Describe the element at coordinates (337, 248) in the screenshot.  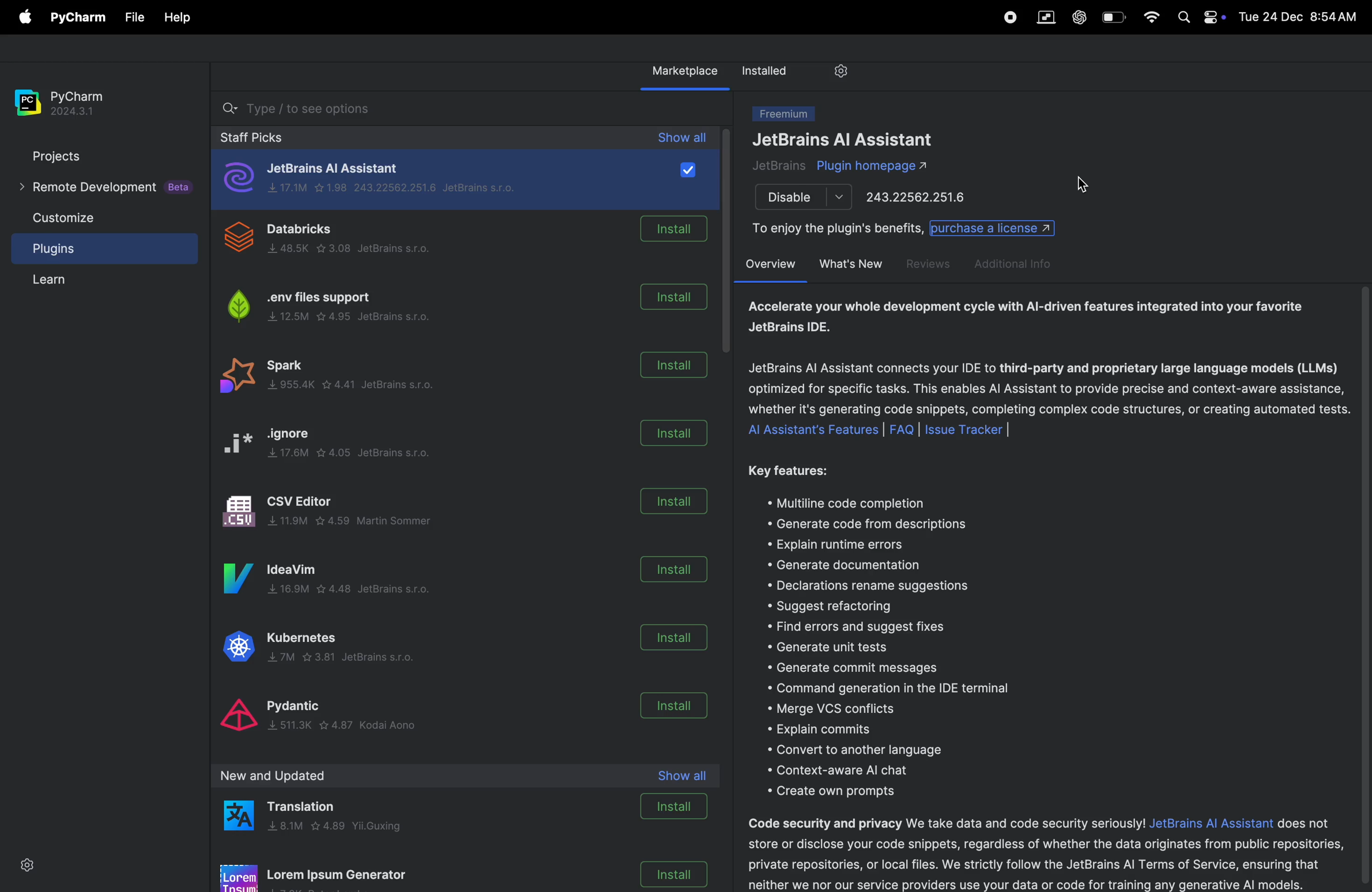
I see `data bricks` at that location.